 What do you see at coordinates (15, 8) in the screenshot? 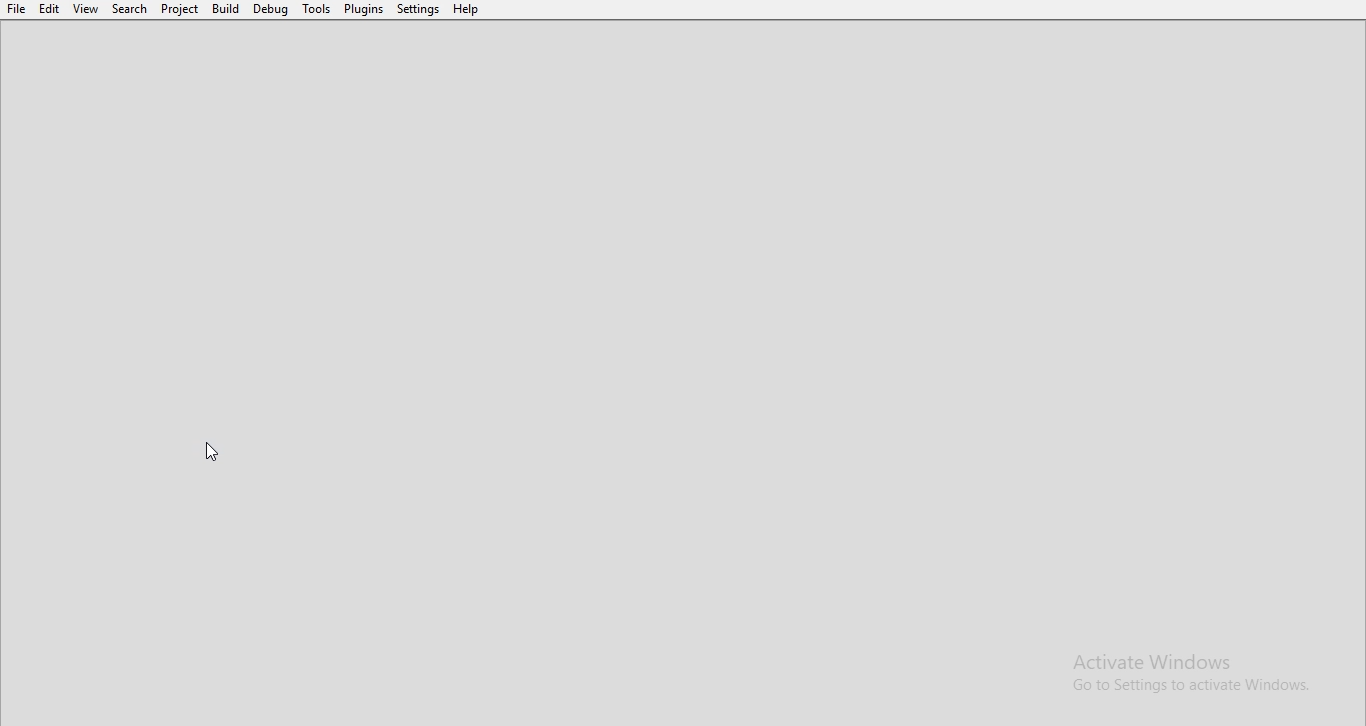
I see `File` at bounding box center [15, 8].